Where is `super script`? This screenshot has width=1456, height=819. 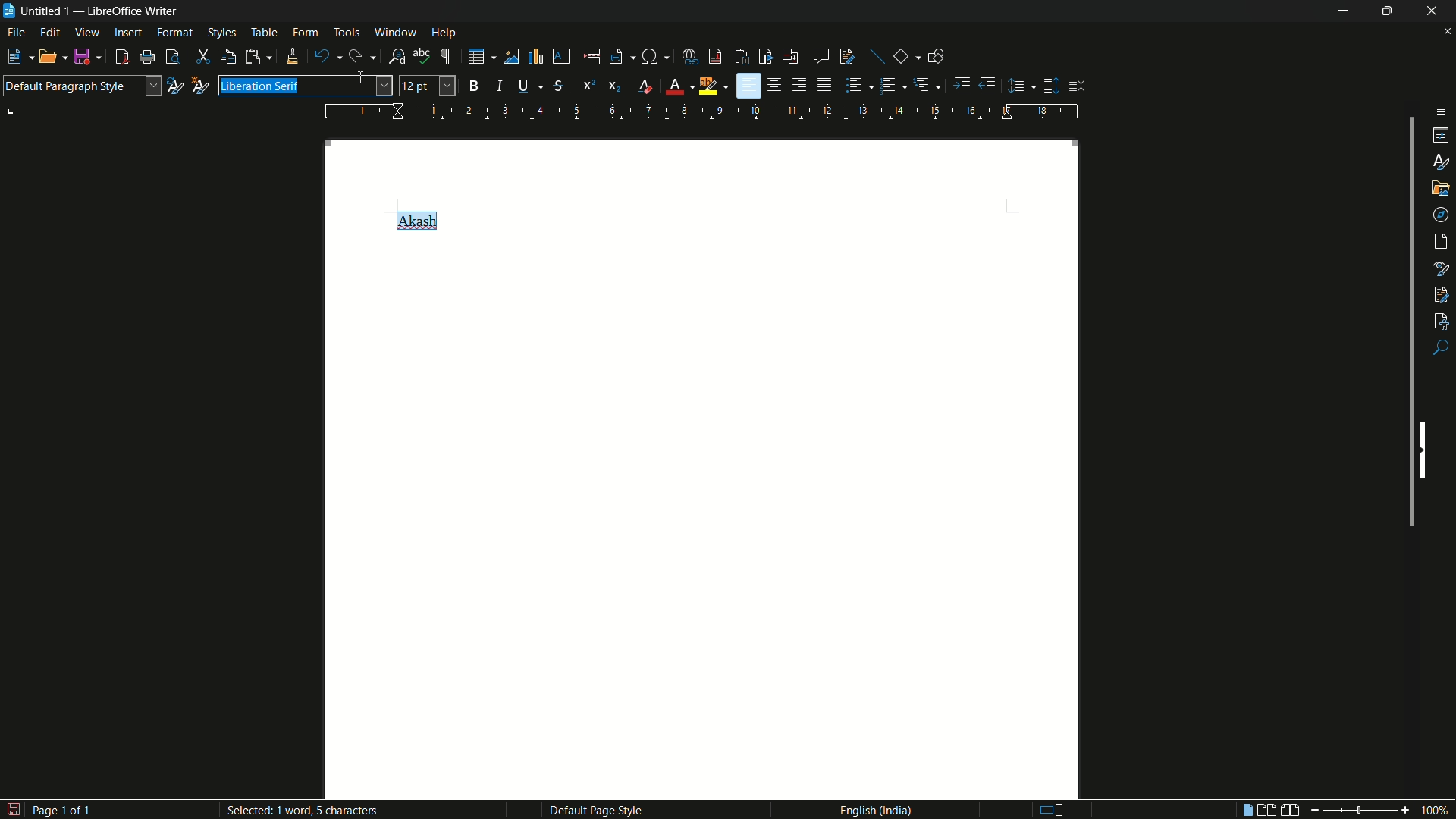
super script is located at coordinates (588, 84).